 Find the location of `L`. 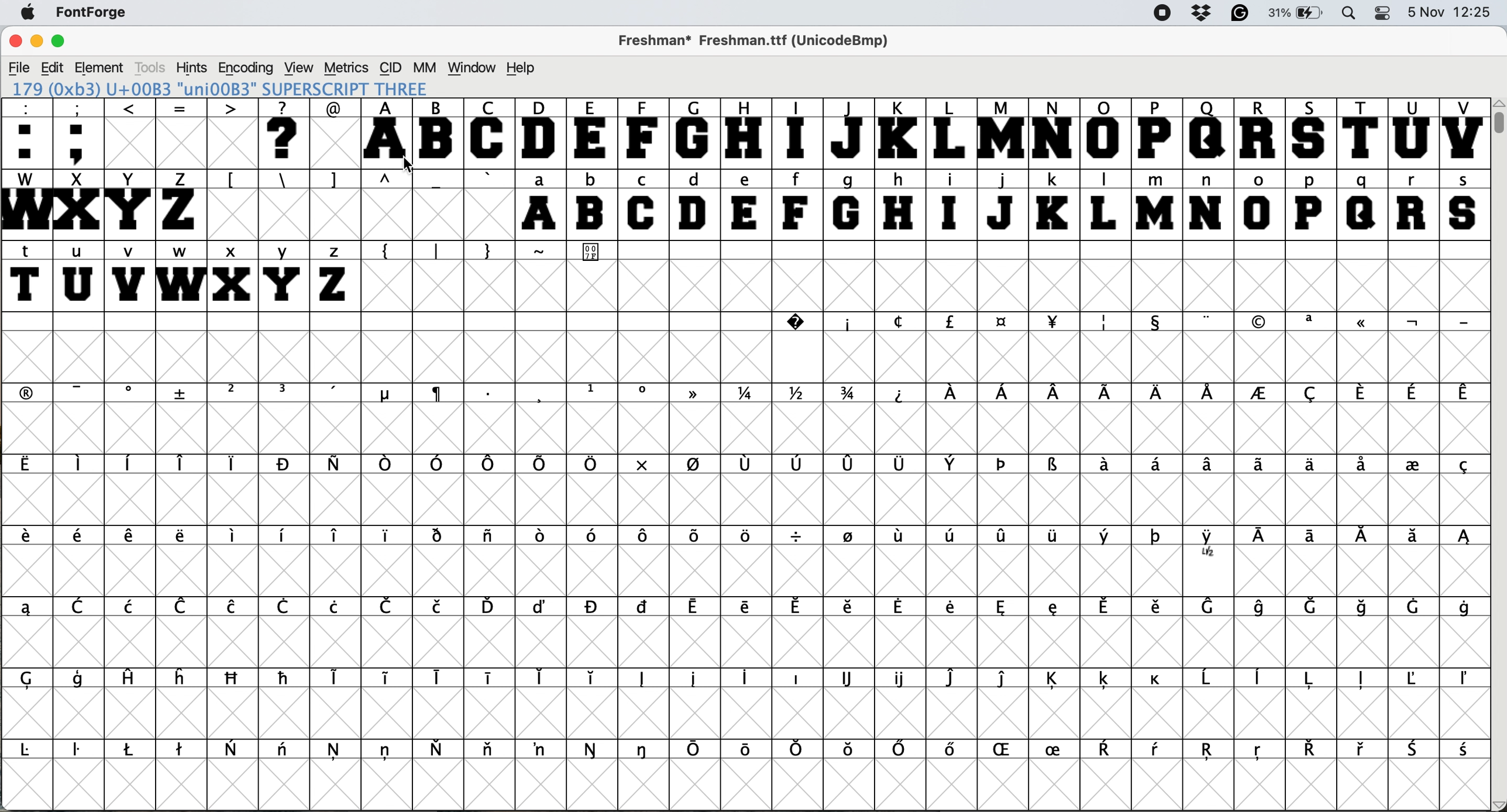

L is located at coordinates (950, 133).